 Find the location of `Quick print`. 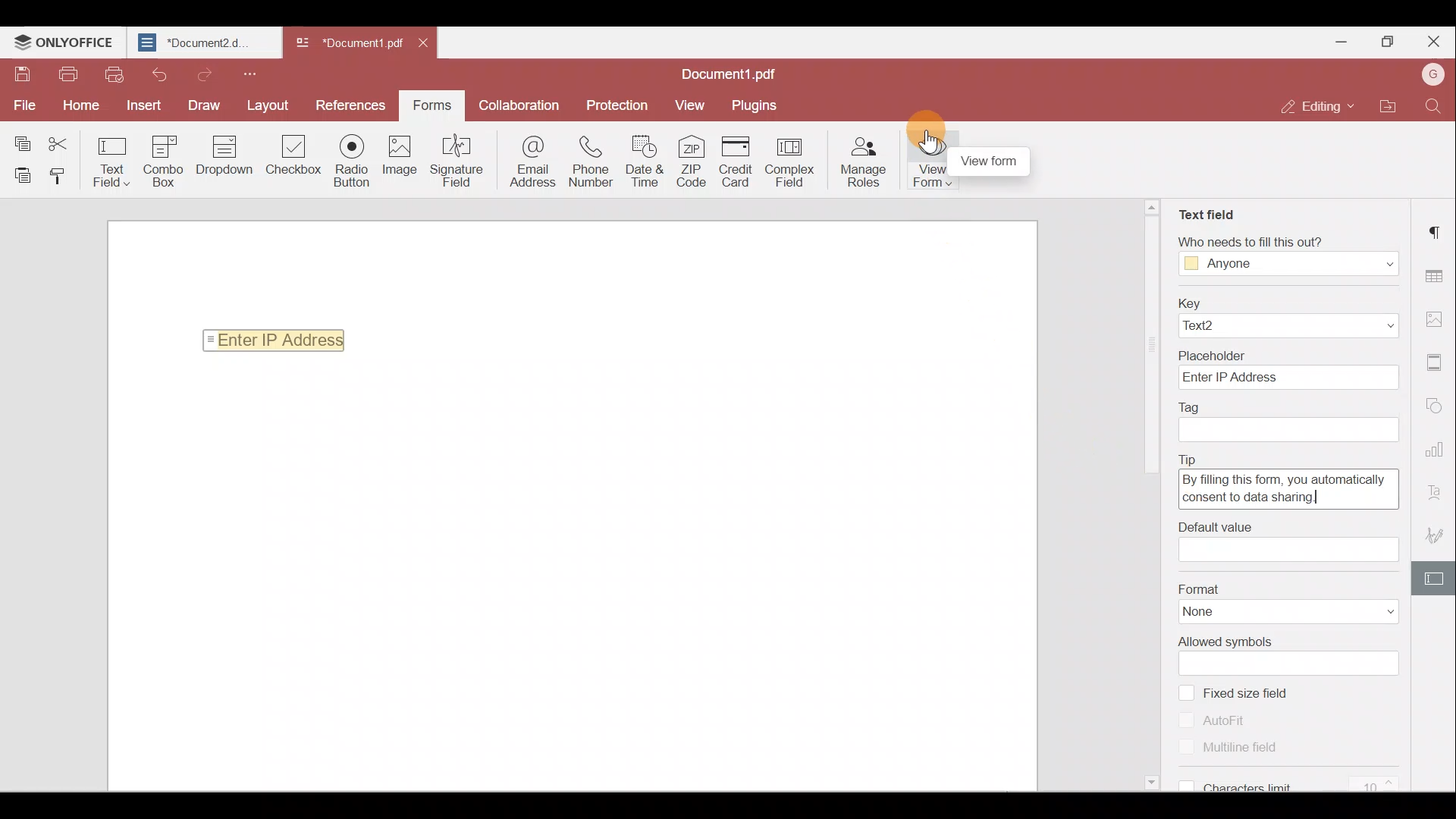

Quick print is located at coordinates (115, 76).